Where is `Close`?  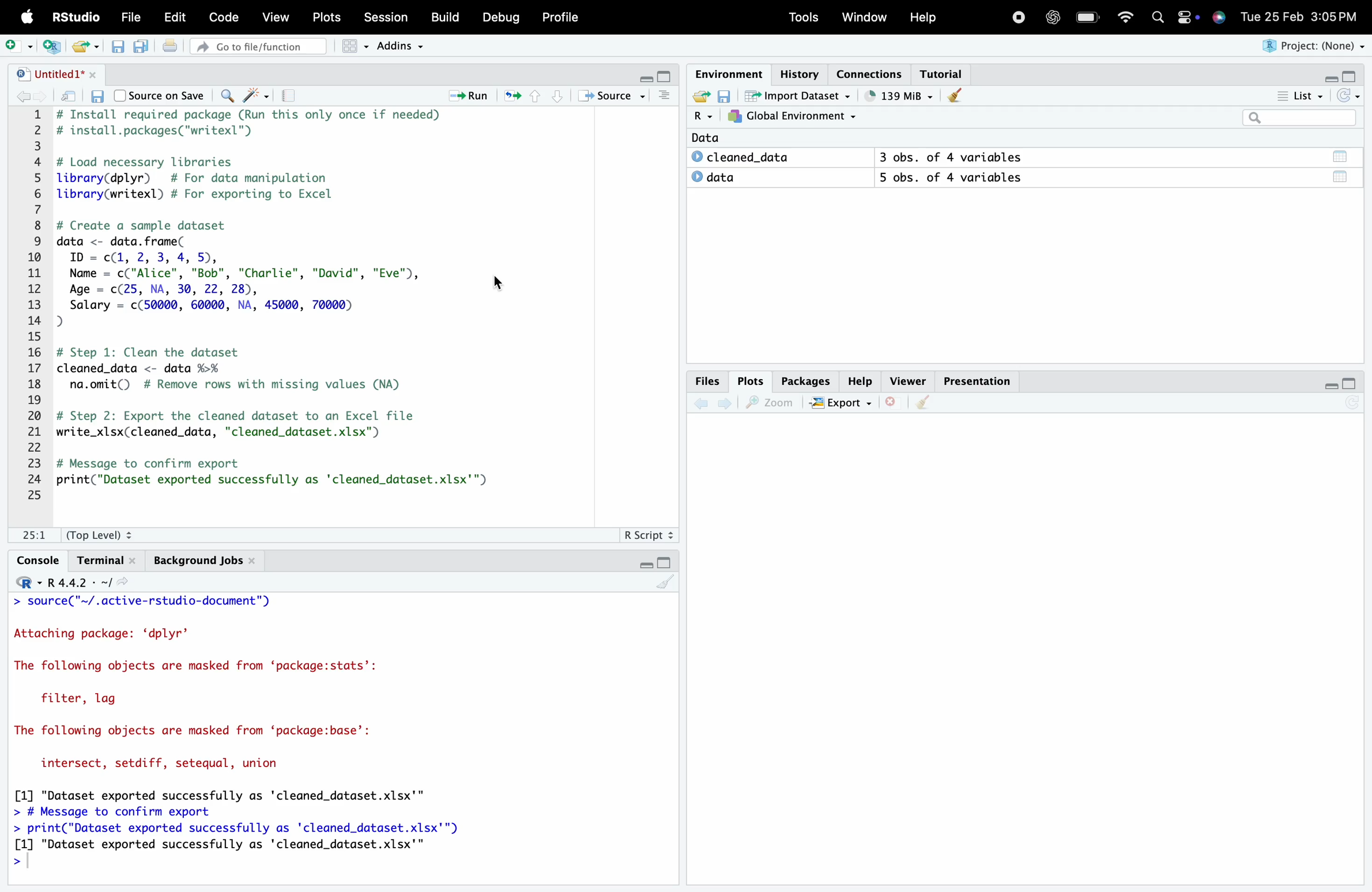 Close is located at coordinates (895, 403).